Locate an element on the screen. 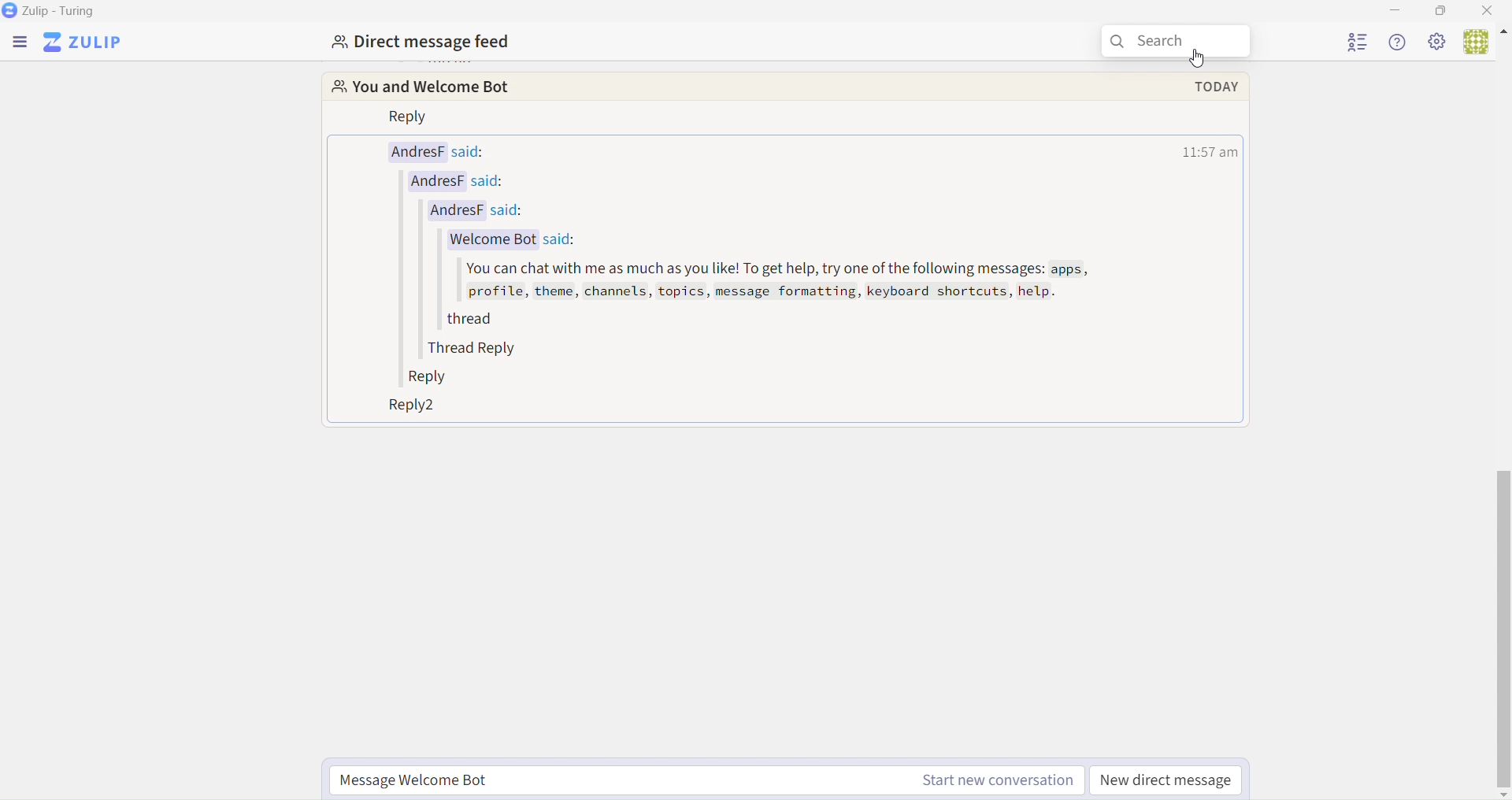 This screenshot has width=1512, height=800. Thread Reply is located at coordinates (477, 349).